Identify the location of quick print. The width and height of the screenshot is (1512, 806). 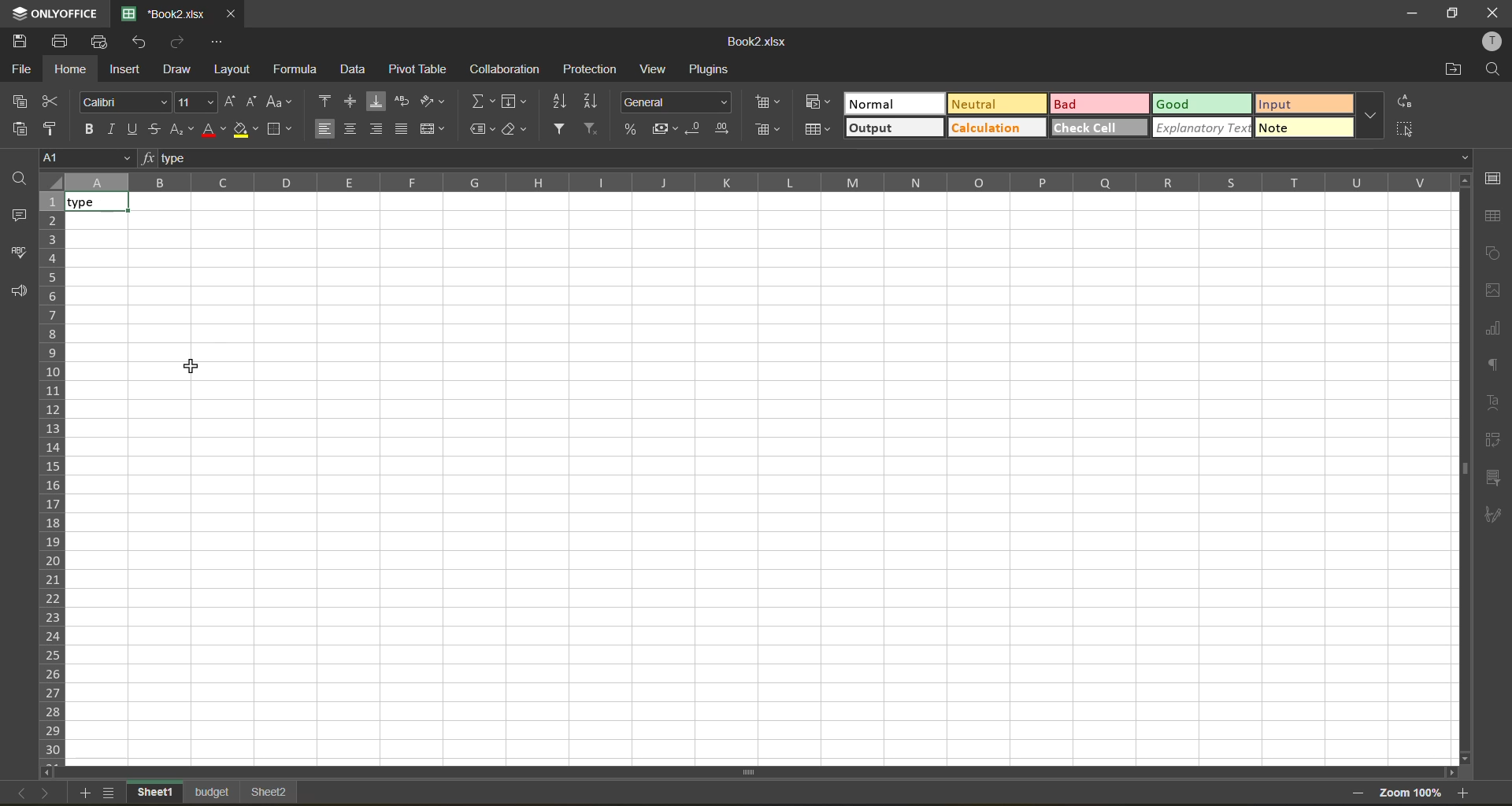
(99, 42).